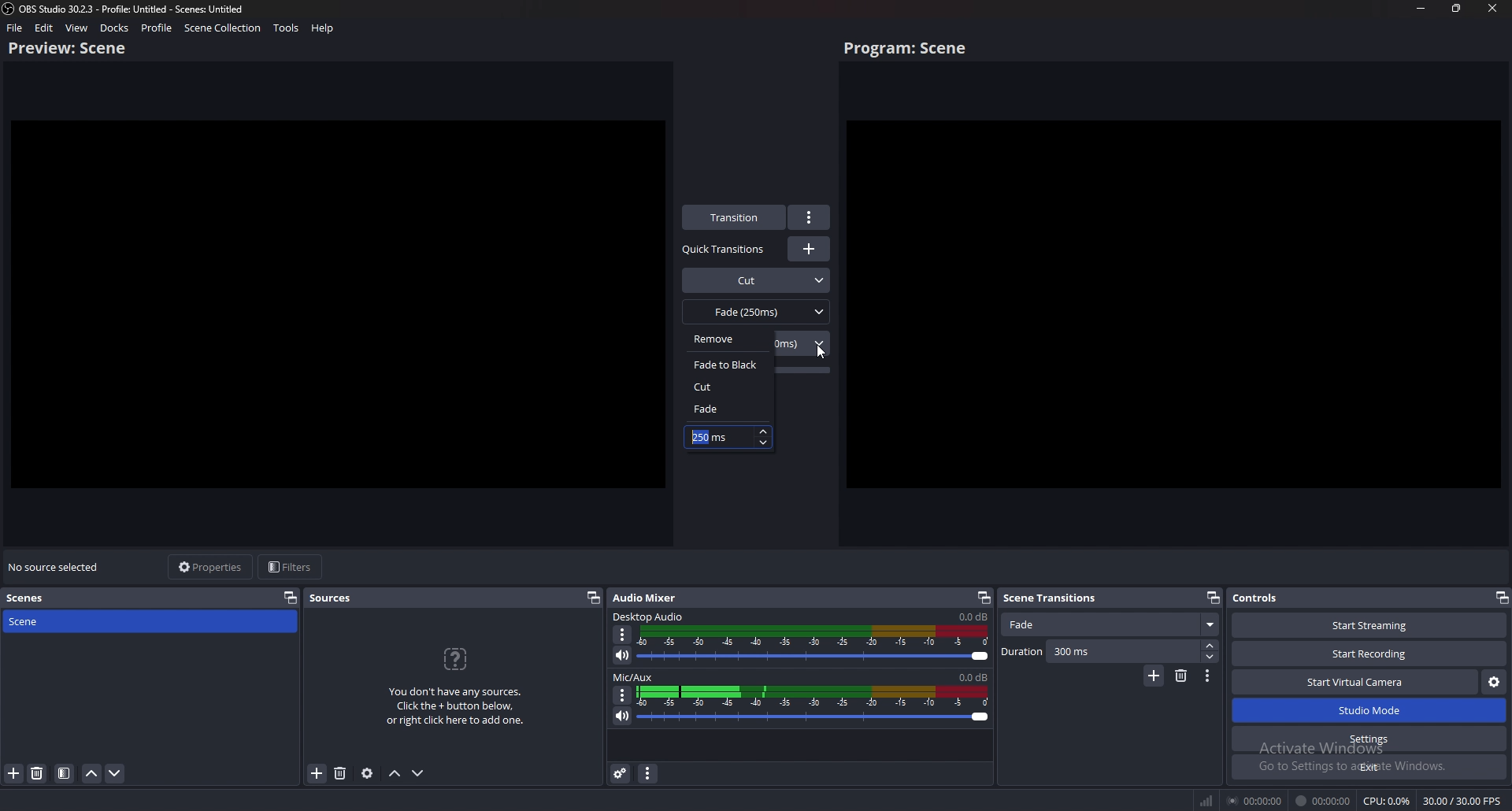  What do you see at coordinates (317, 773) in the screenshot?
I see `add source` at bounding box center [317, 773].